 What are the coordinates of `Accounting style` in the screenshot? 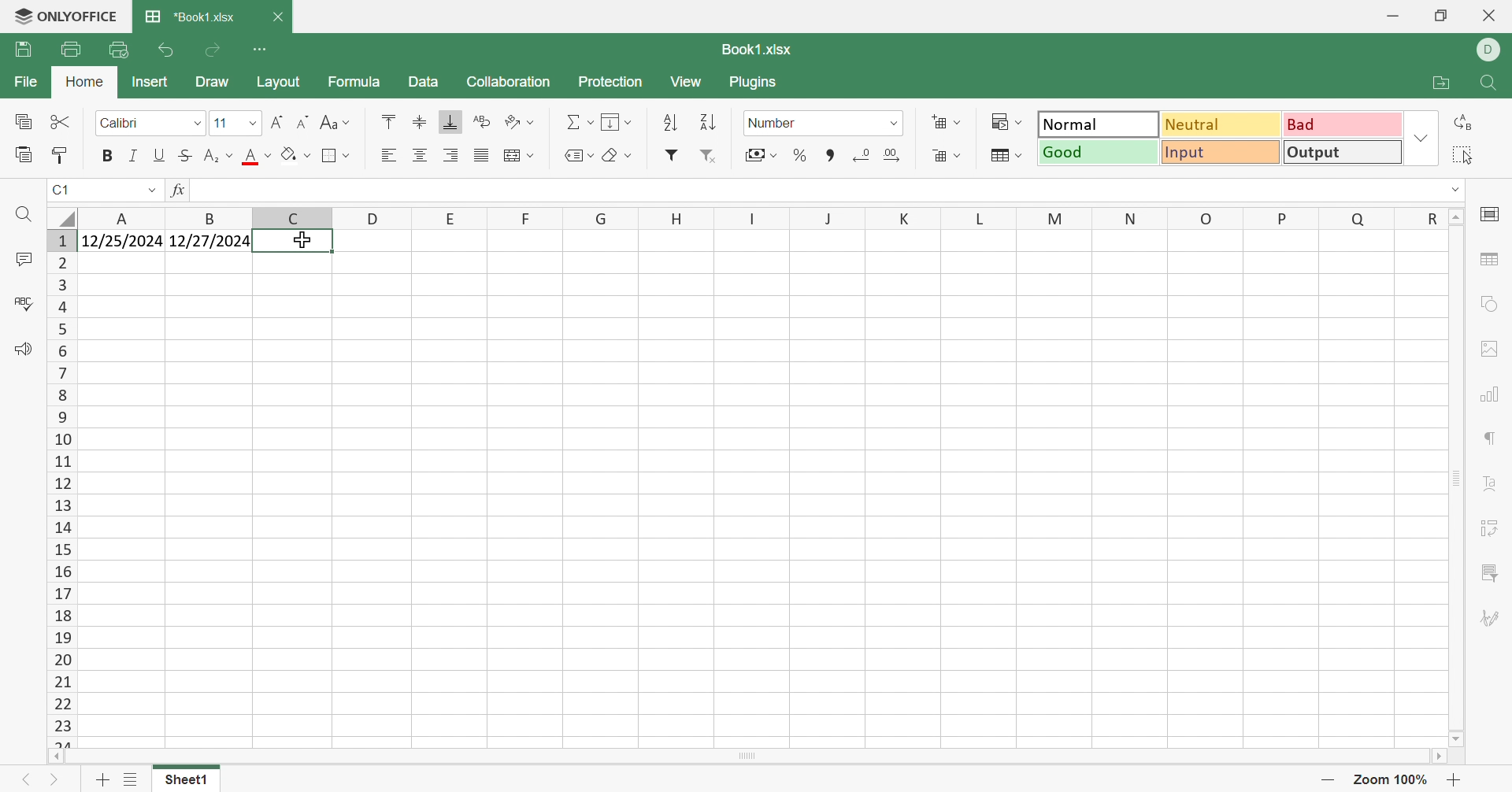 It's located at (763, 154).